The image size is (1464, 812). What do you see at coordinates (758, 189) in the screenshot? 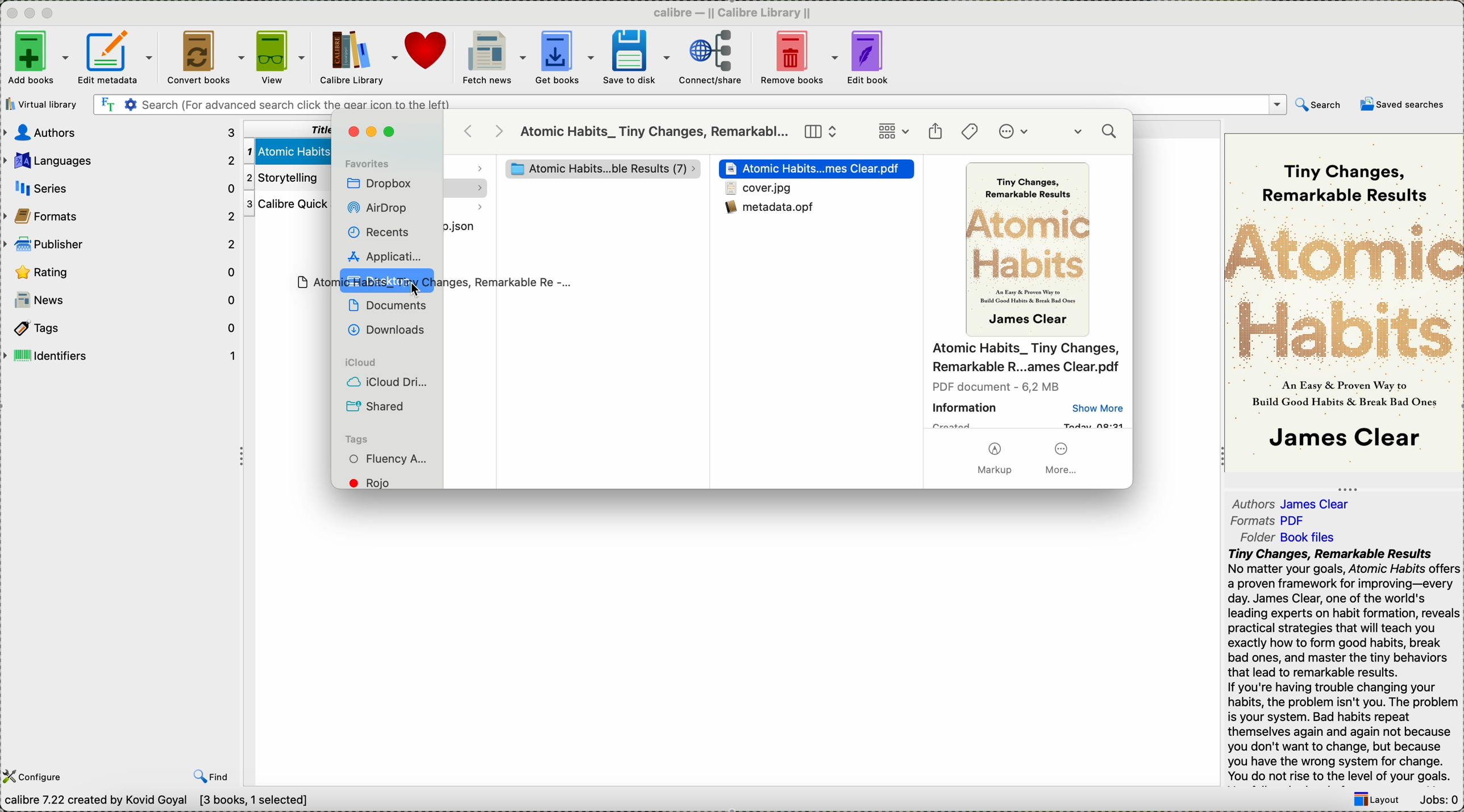
I see `file` at bounding box center [758, 189].